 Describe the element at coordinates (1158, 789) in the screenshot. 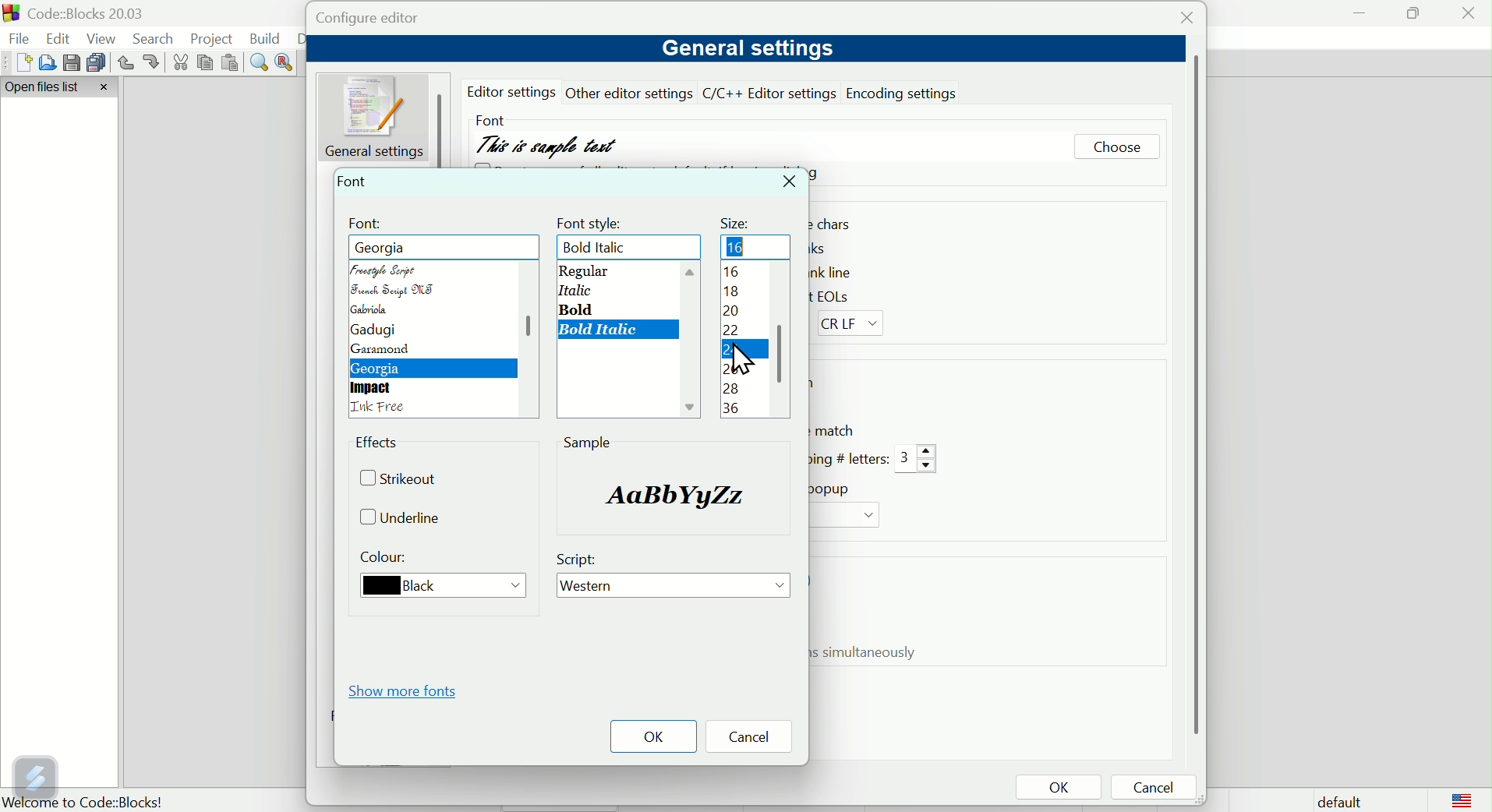

I see `Cancel` at that location.